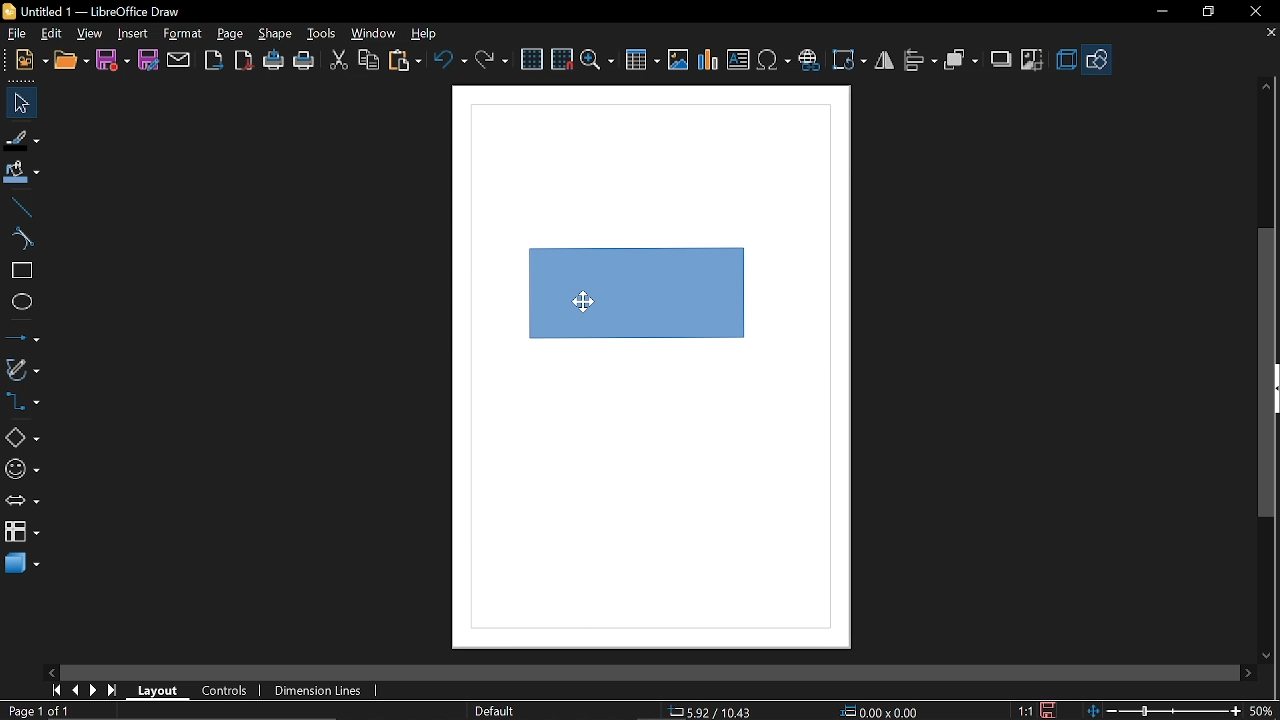 The image size is (1280, 720). Describe the element at coordinates (71, 61) in the screenshot. I see `Open` at that location.